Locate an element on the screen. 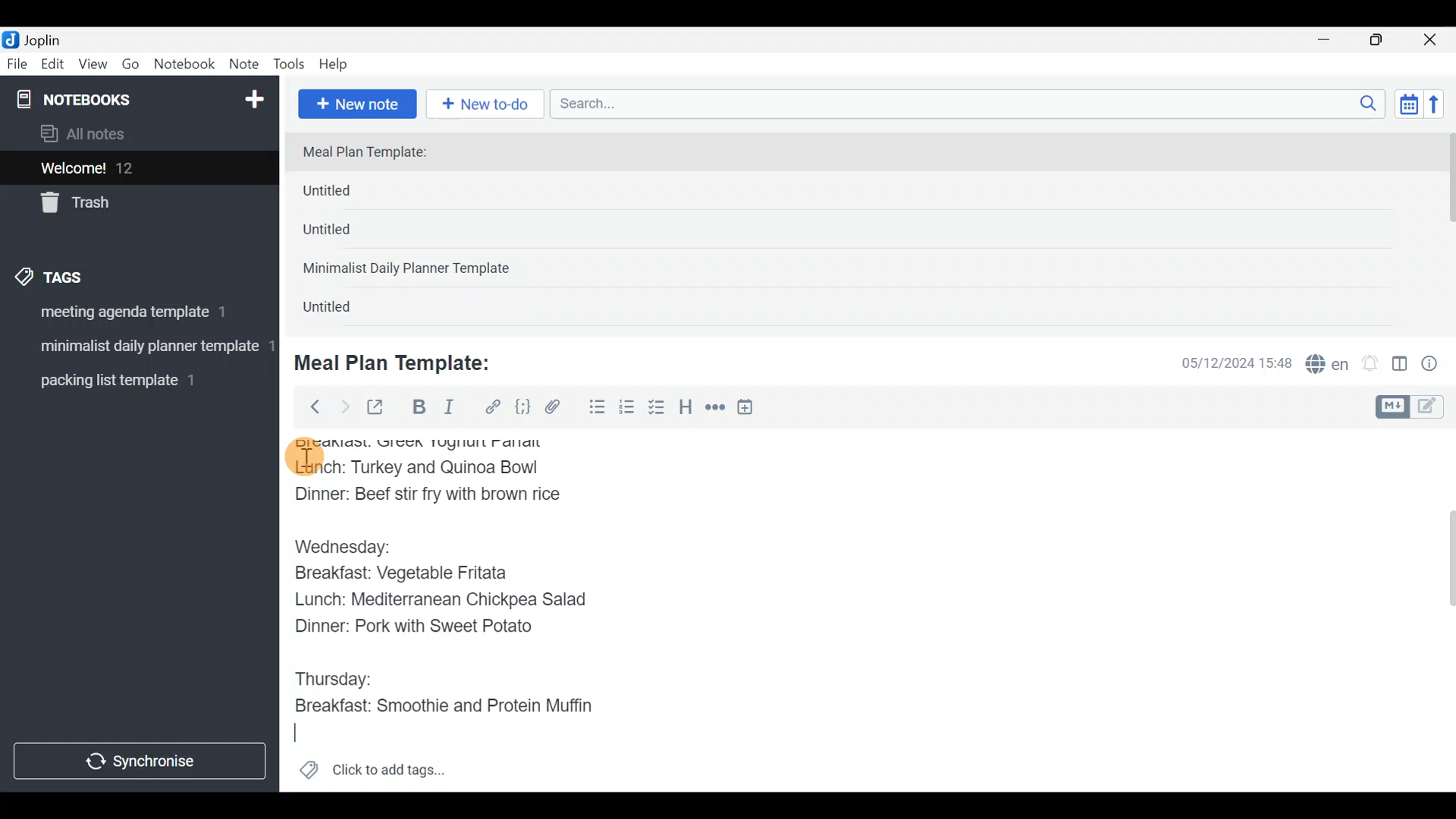 The width and height of the screenshot is (1456, 819). Reverse sort is located at coordinates (1442, 108).